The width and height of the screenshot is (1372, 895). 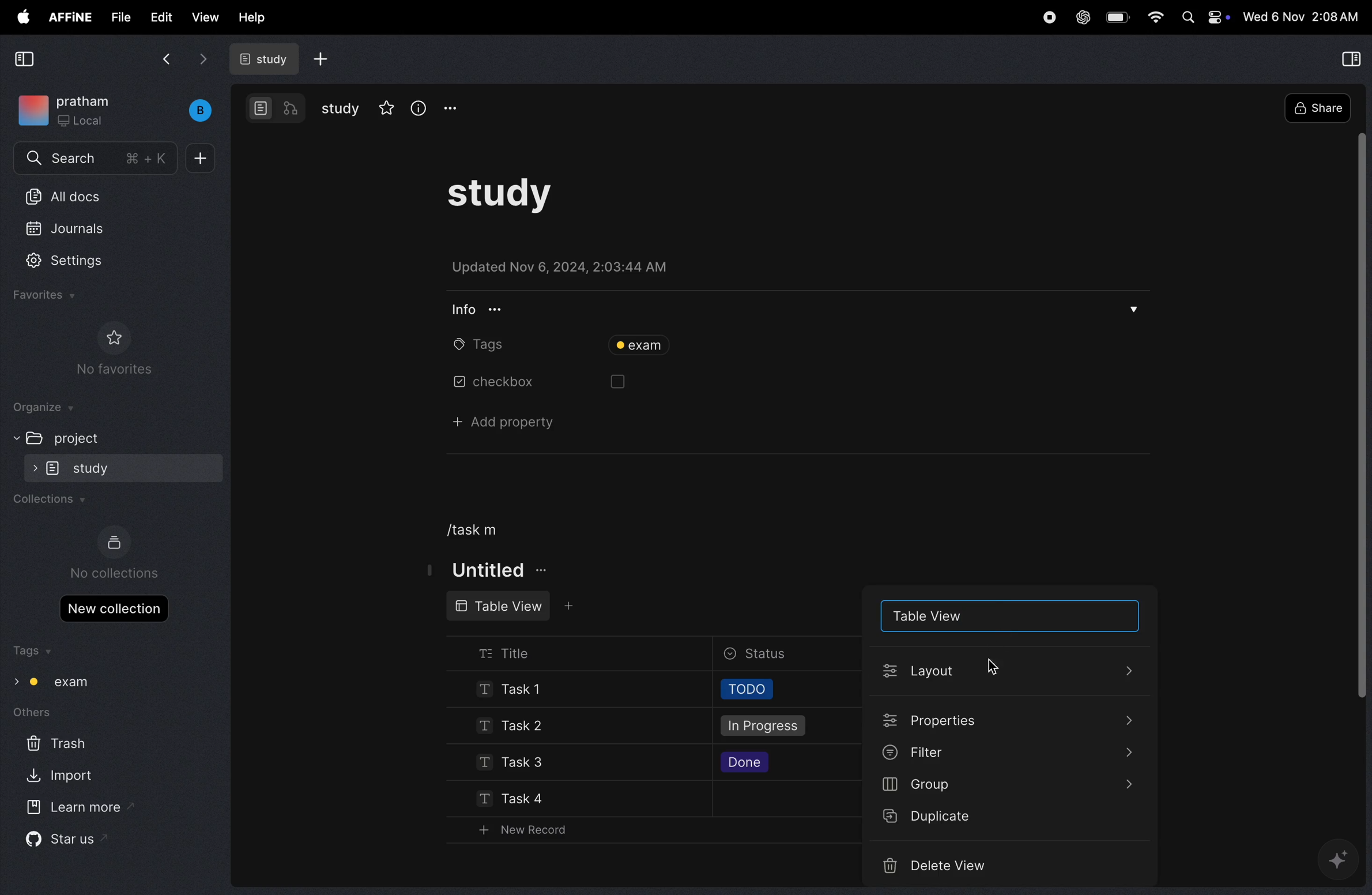 I want to click on import, so click(x=61, y=776).